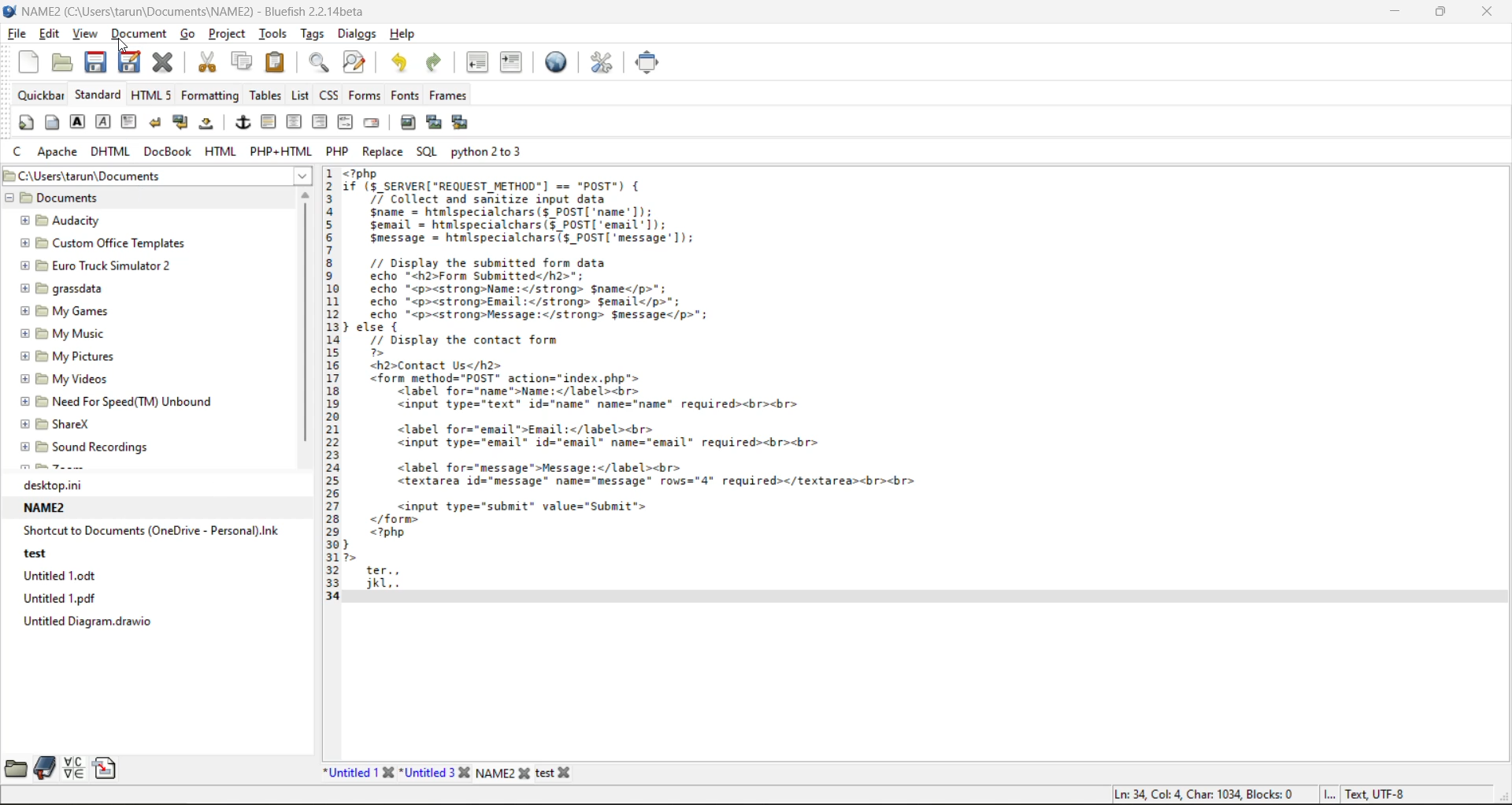 Image resolution: width=1512 pixels, height=805 pixels. Describe the element at coordinates (346, 121) in the screenshot. I see `html comment` at that location.